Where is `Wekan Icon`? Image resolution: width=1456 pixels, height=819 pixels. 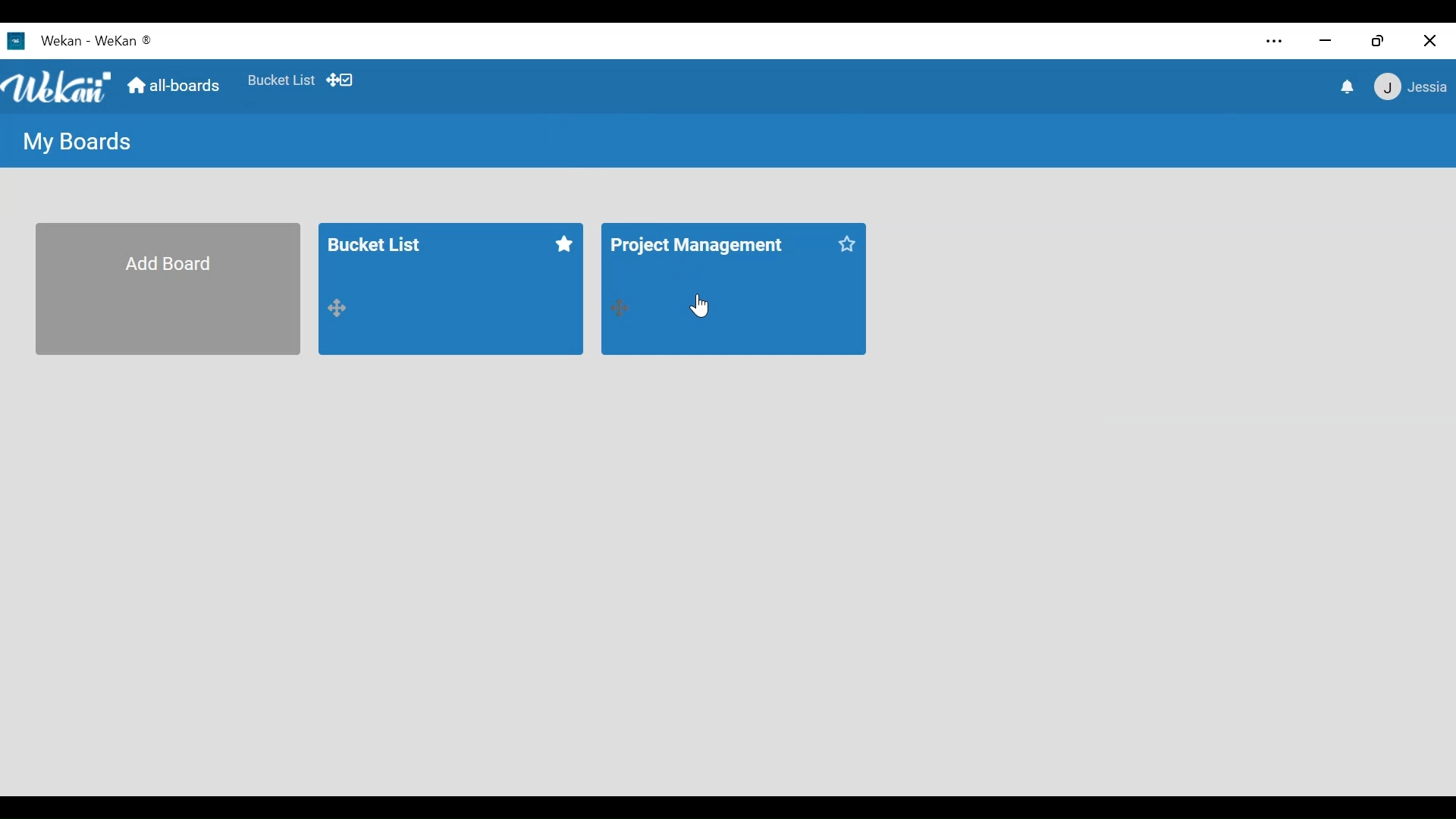 Wekan Icon is located at coordinates (61, 86).